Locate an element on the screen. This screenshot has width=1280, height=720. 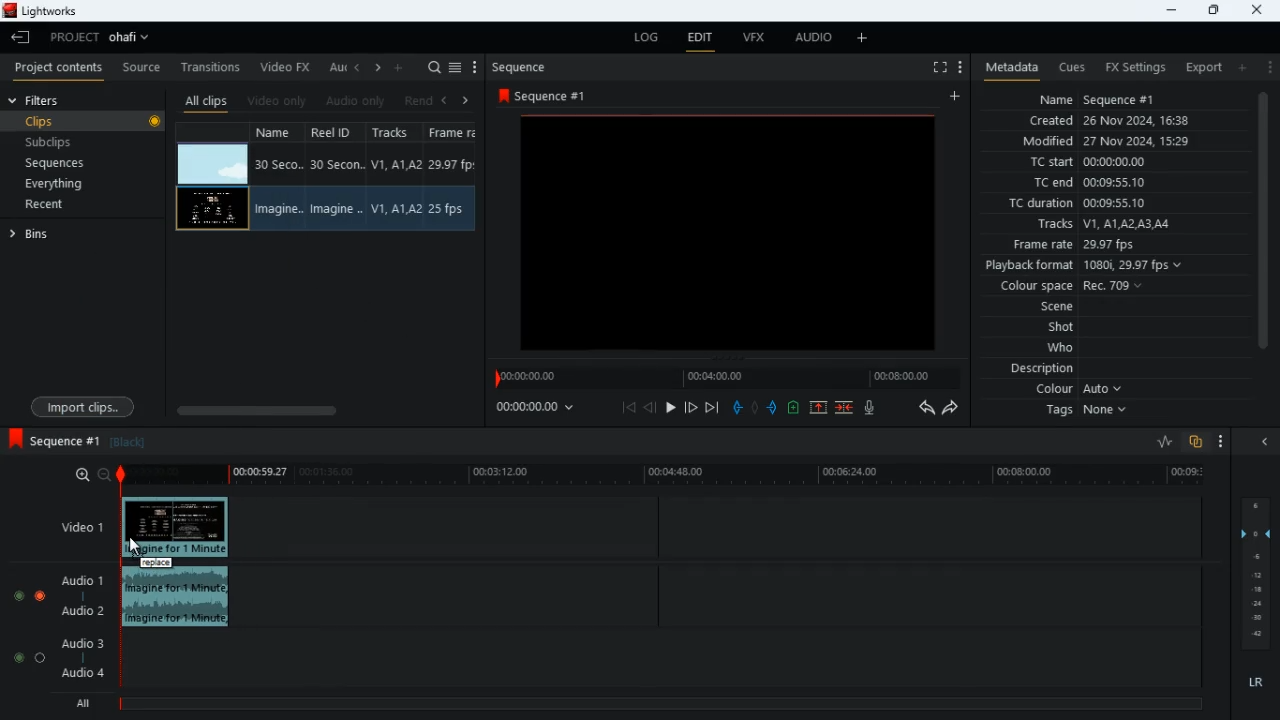
audio 1 is located at coordinates (78, 581).